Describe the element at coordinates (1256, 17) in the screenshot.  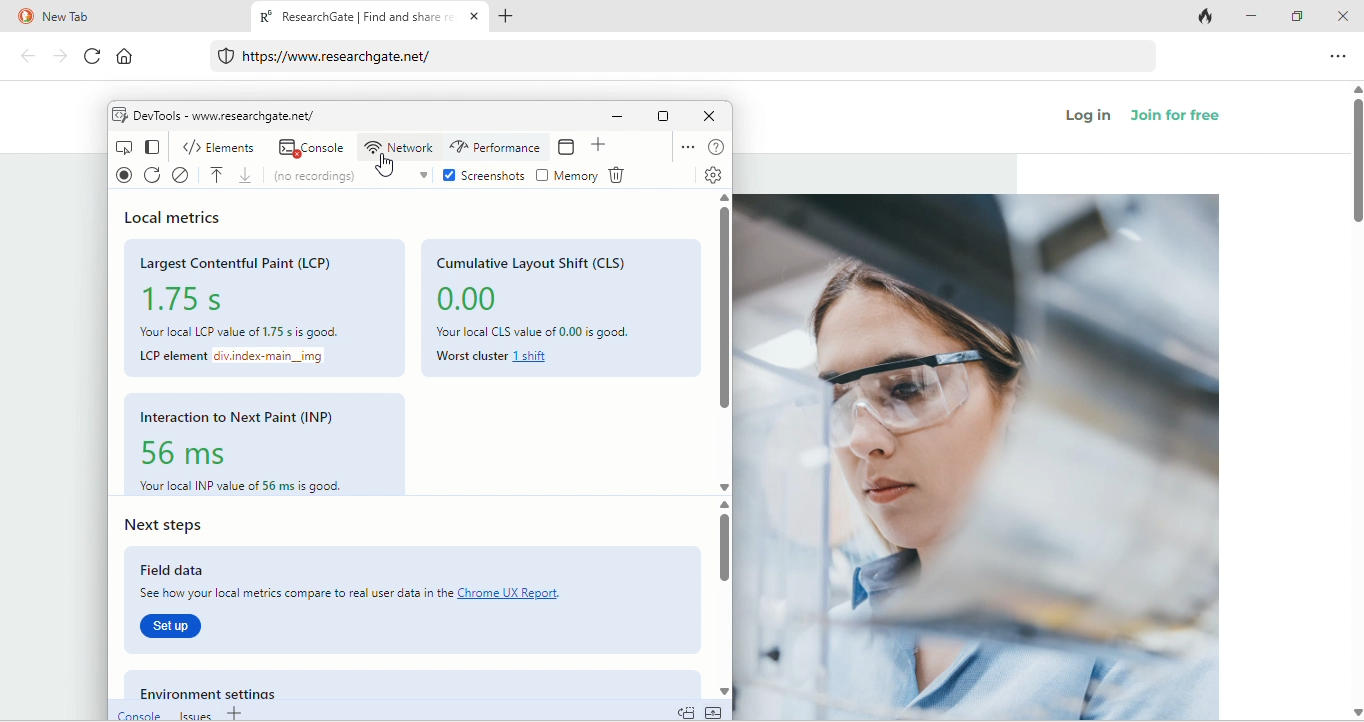
I see `minimize` at that location.